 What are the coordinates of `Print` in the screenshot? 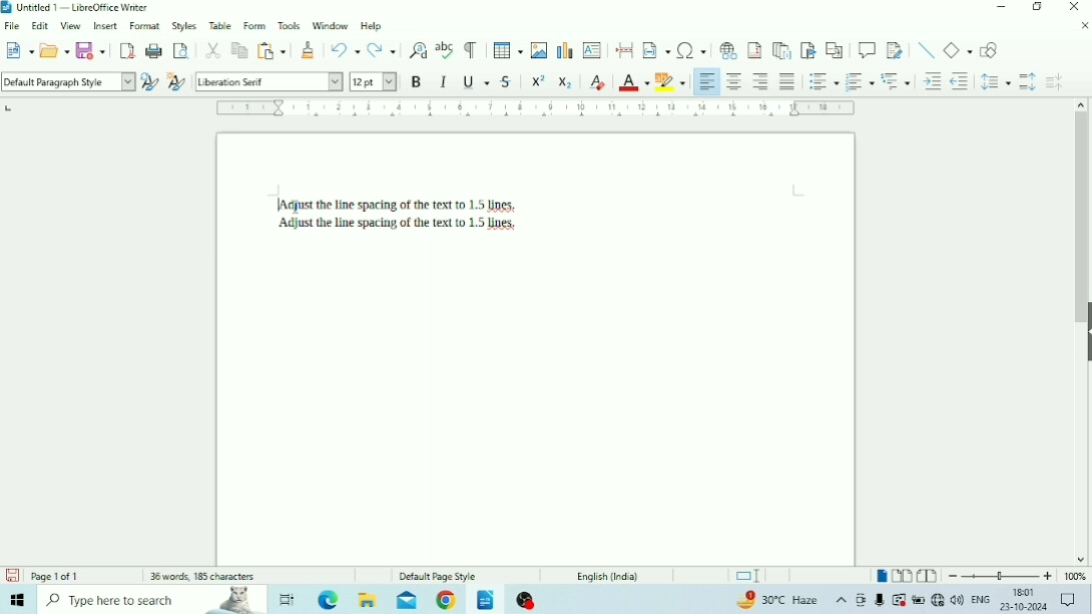 It's located at (154, 49).